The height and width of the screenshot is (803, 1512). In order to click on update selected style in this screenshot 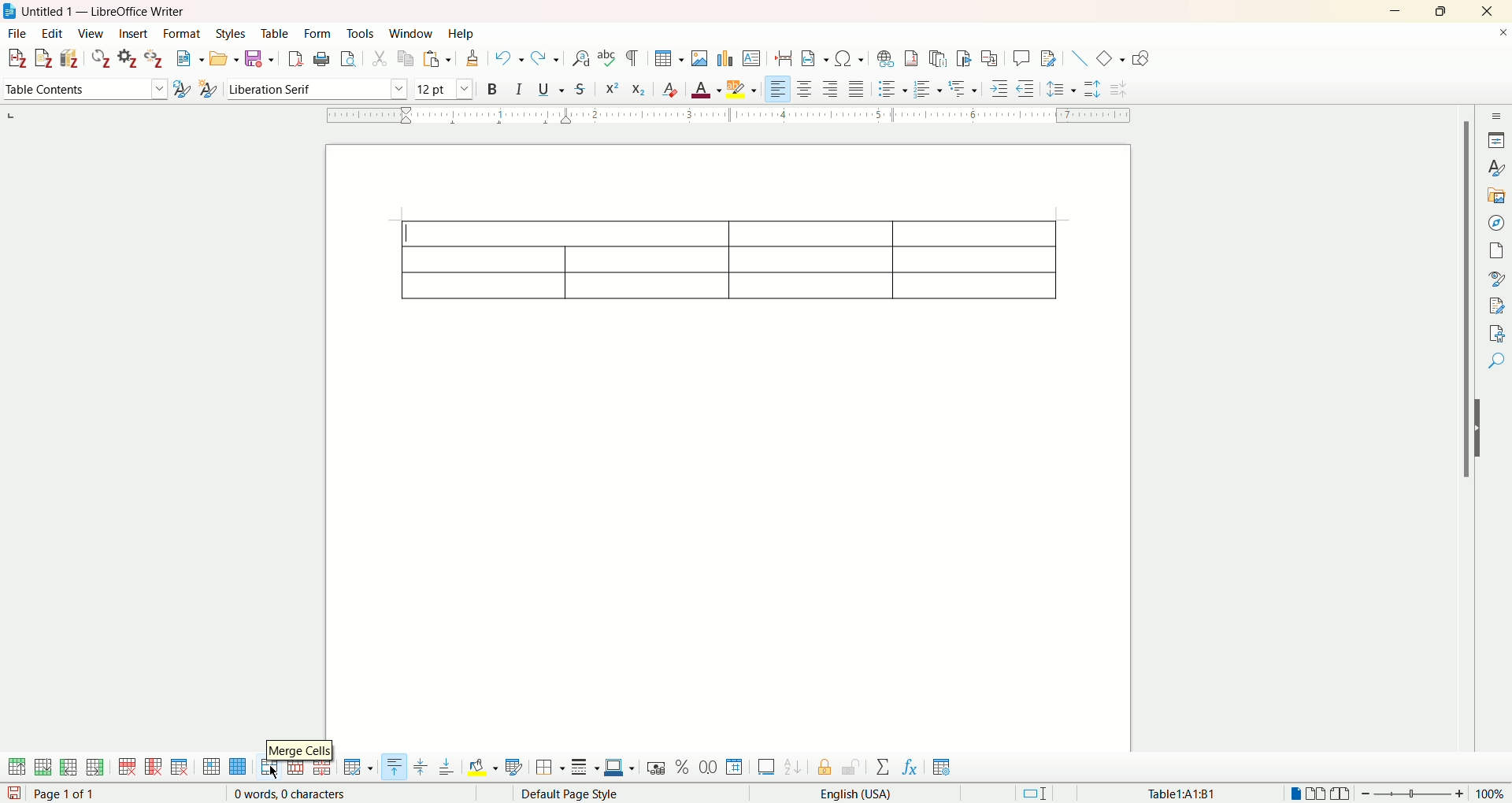, I will do `click(180, 90)`.